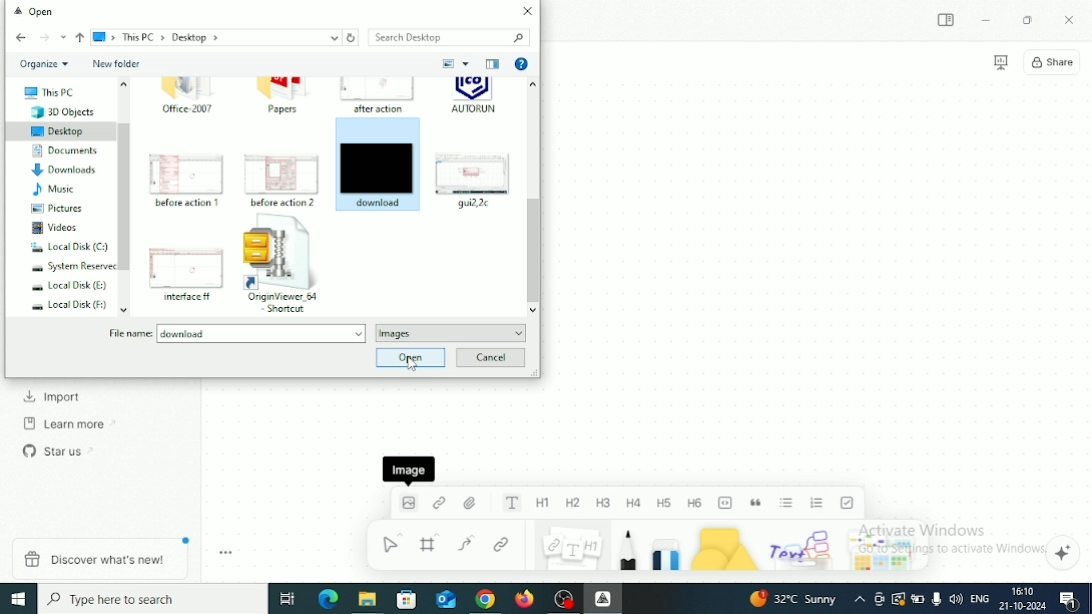  I want to click on Videos, so click(49, 228).